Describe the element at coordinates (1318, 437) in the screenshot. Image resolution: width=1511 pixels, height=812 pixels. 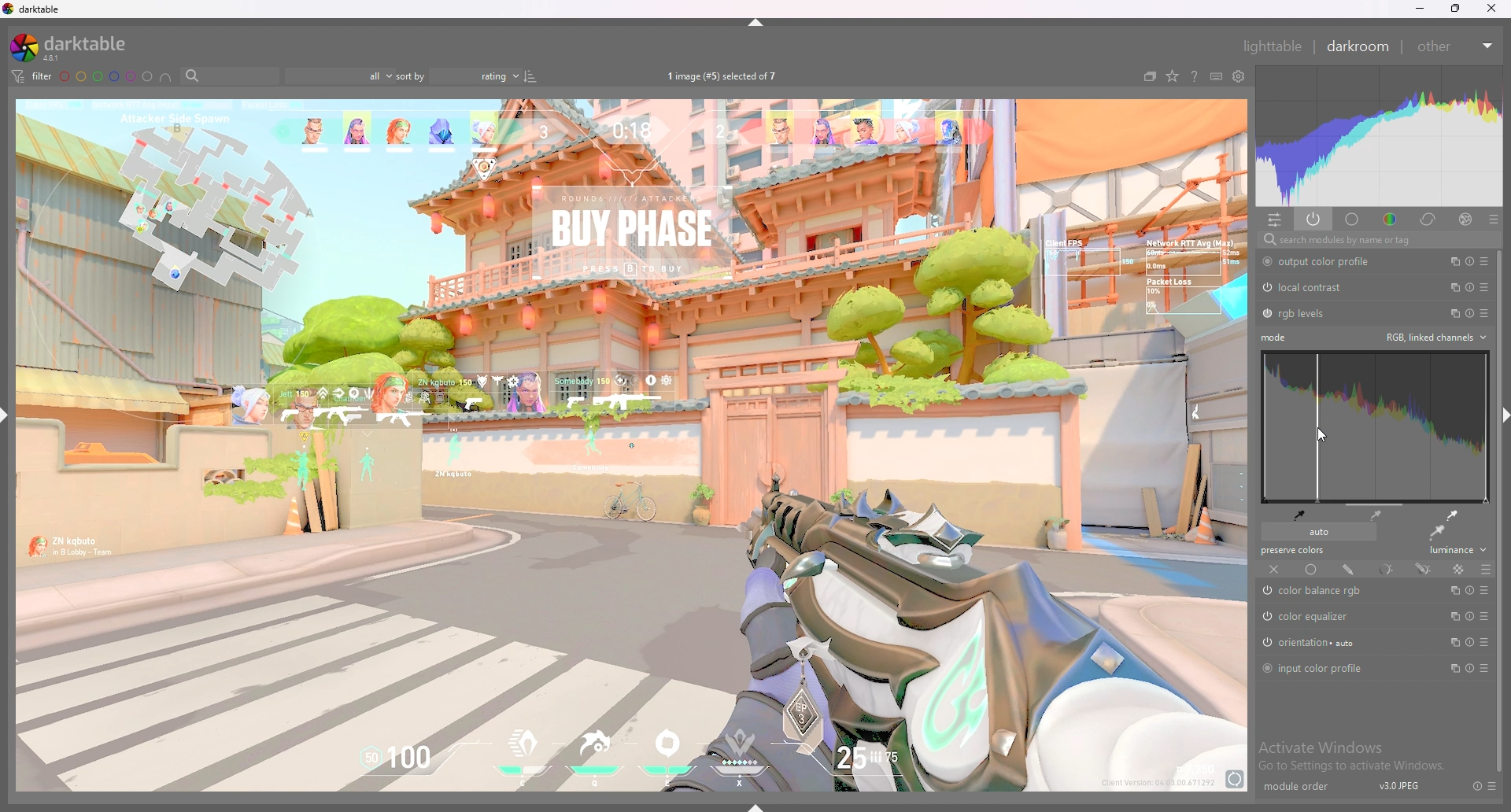
I see `cursor` at that location.